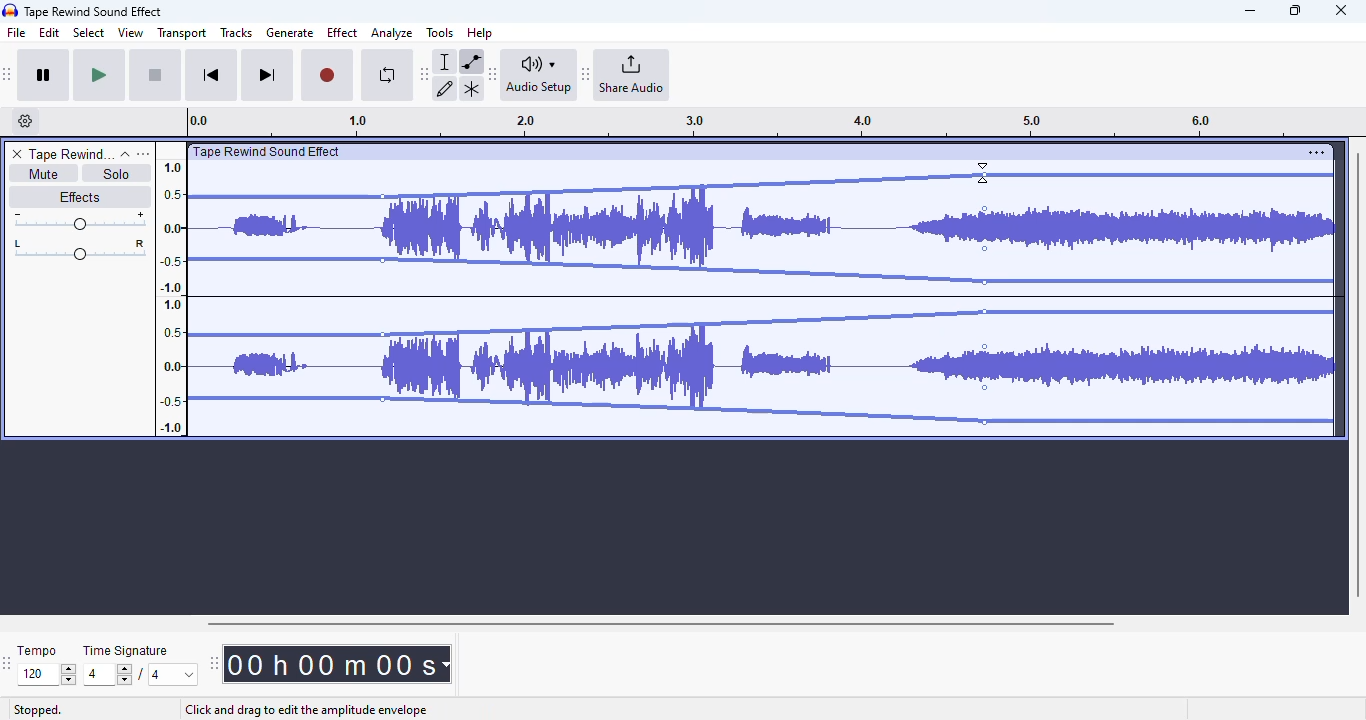  I want to click on volume increased, so click(1147, 290).